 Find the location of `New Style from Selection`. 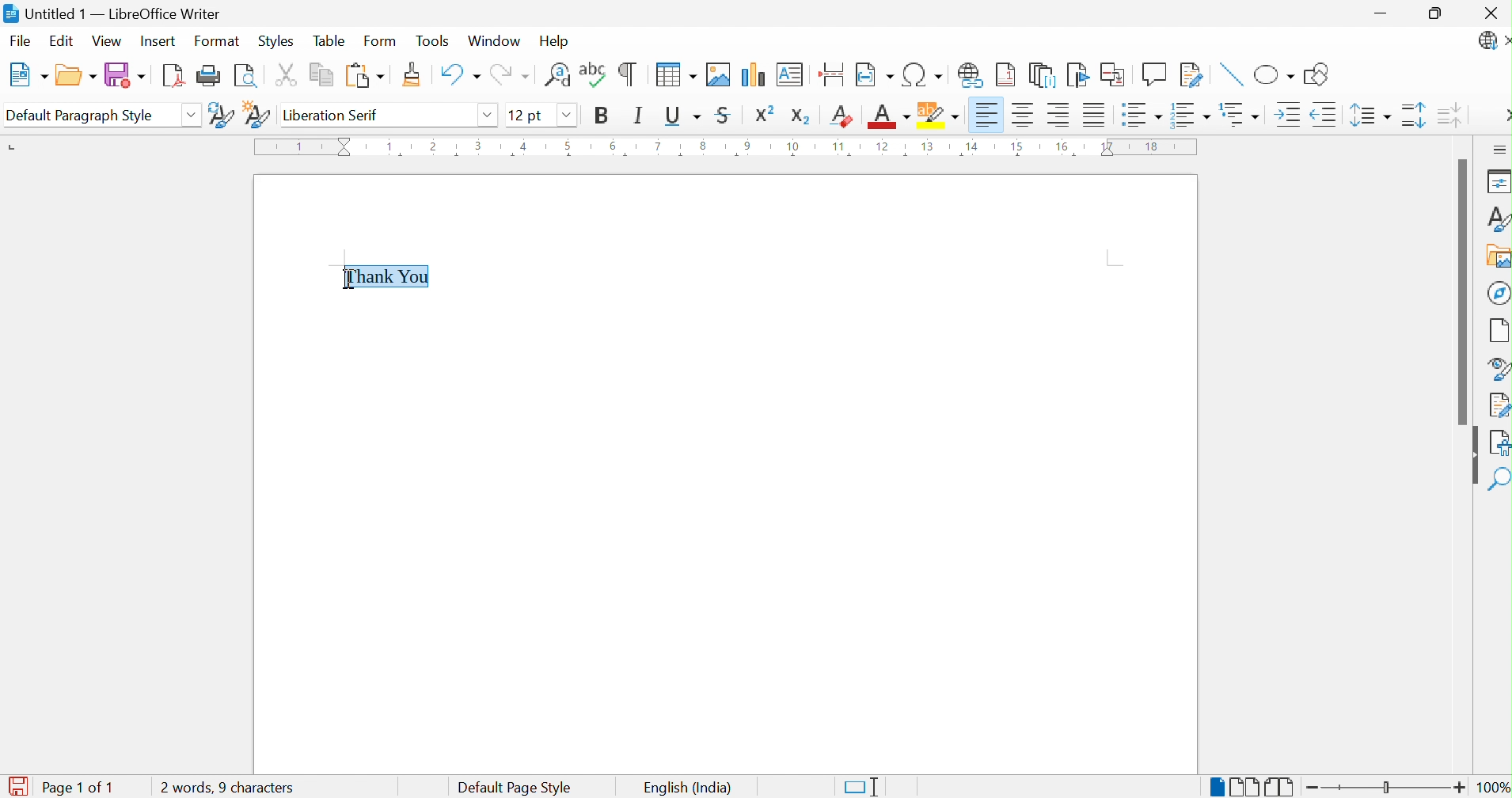

New Style from Selection is located at coordinates (256, 113).